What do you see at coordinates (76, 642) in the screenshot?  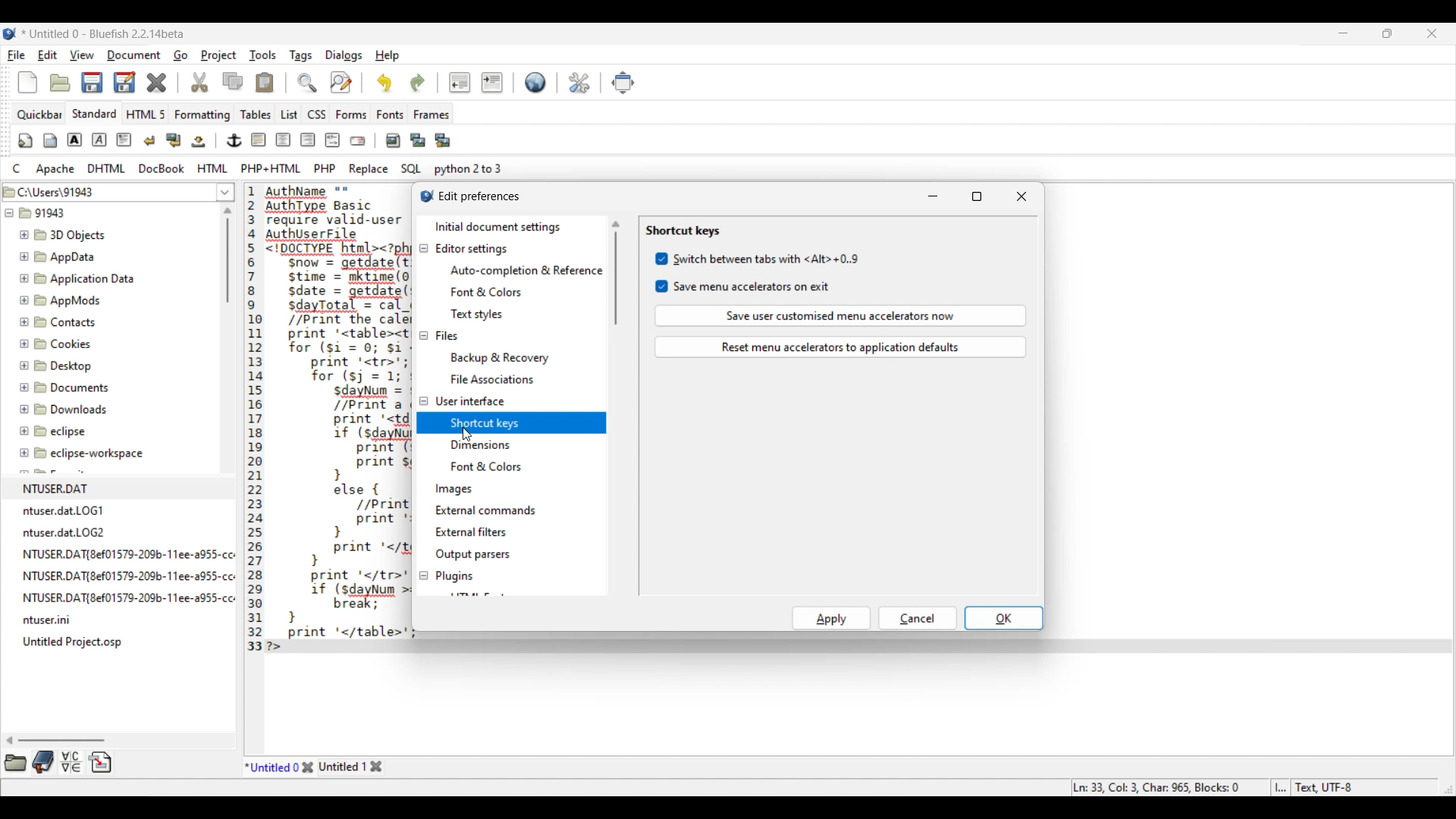 I see `Untitled Project.osp` at bounding box center [76, 642].